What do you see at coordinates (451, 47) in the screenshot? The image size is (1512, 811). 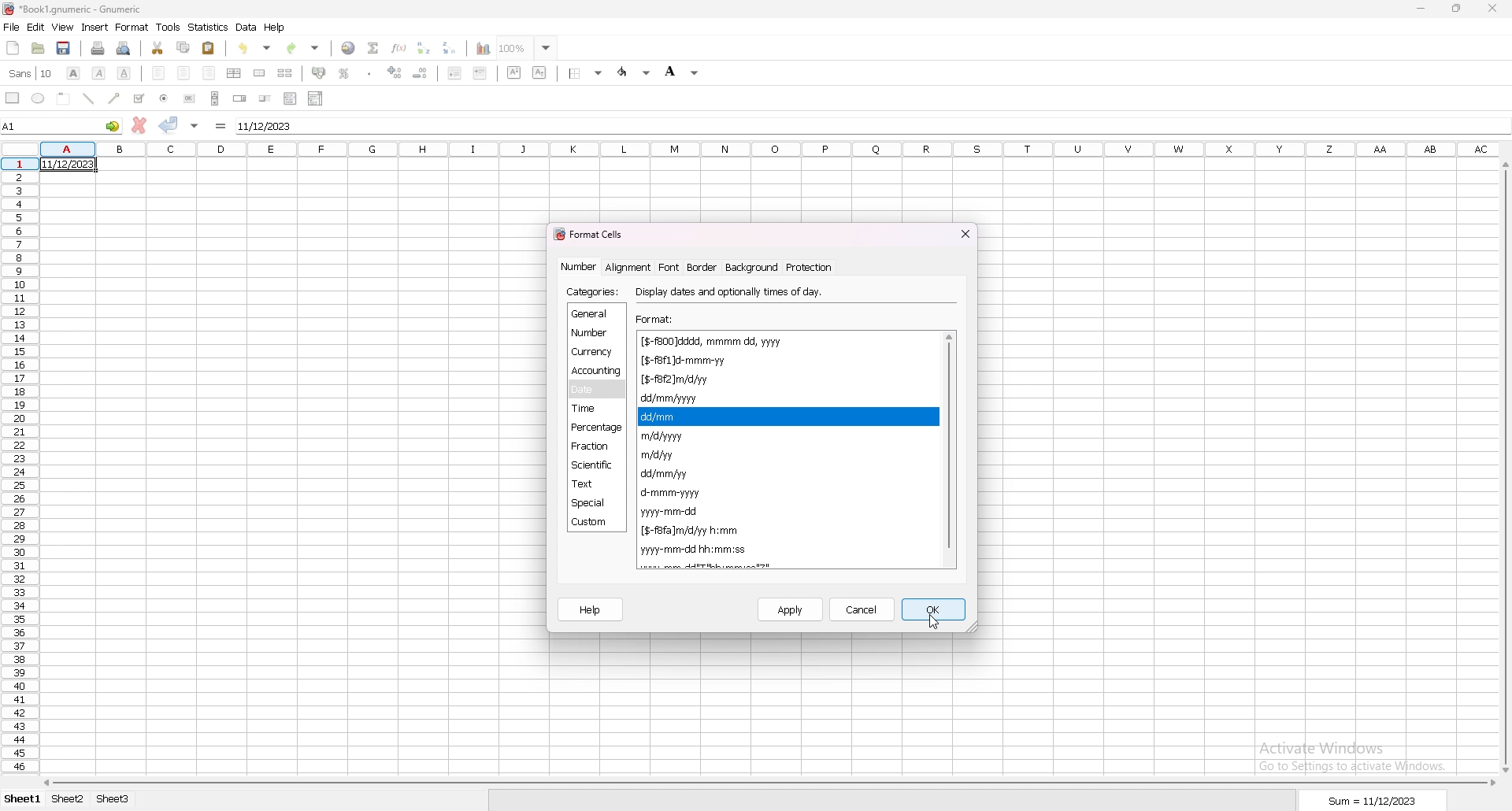 I see `sort descending` at bounding box center [451, 47].